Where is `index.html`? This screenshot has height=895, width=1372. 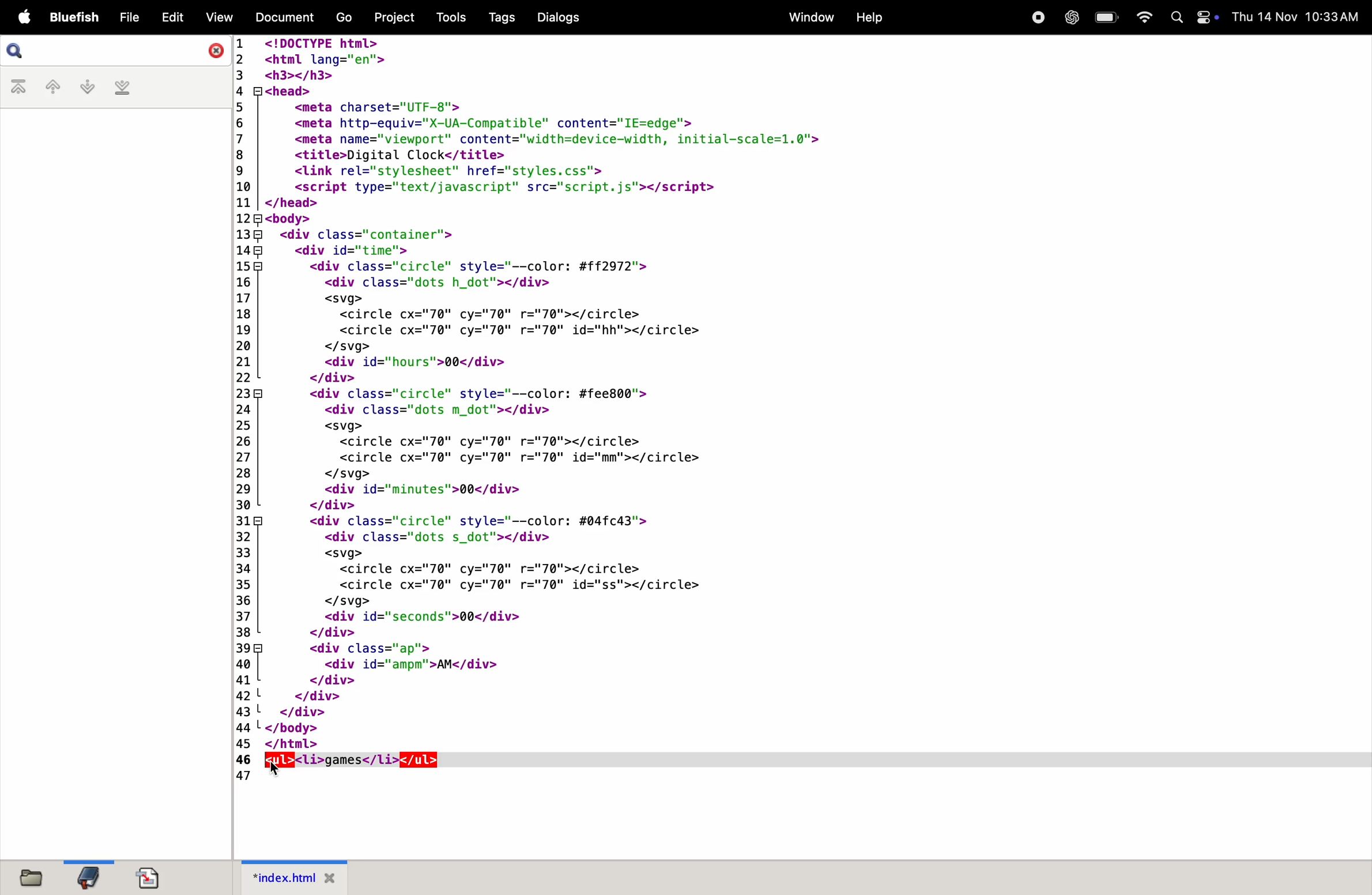 index.html is located at coordinates (296, 877).